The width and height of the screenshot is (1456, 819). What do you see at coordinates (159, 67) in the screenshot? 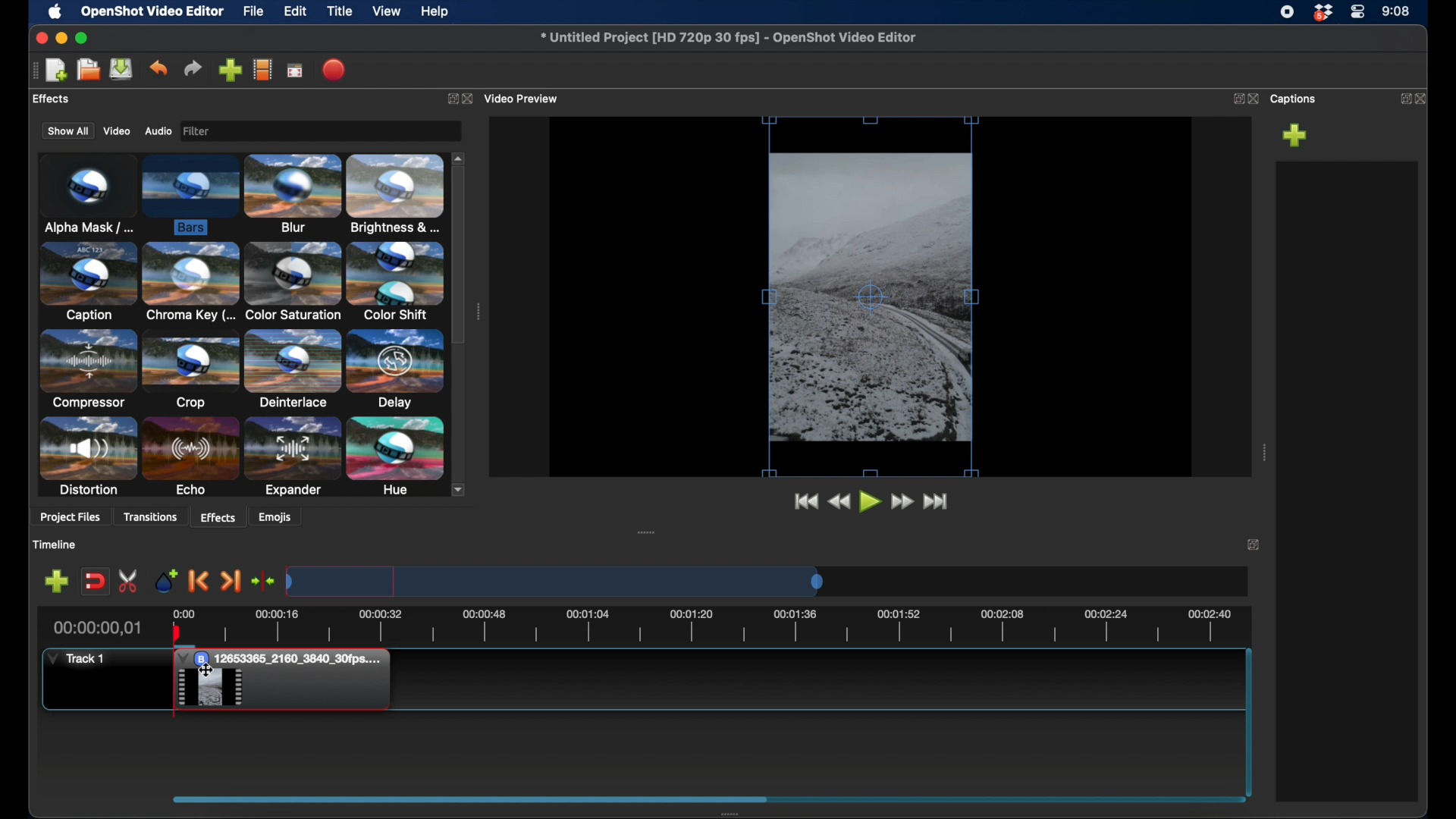
I see `undo` at bounding box center [159, 67].